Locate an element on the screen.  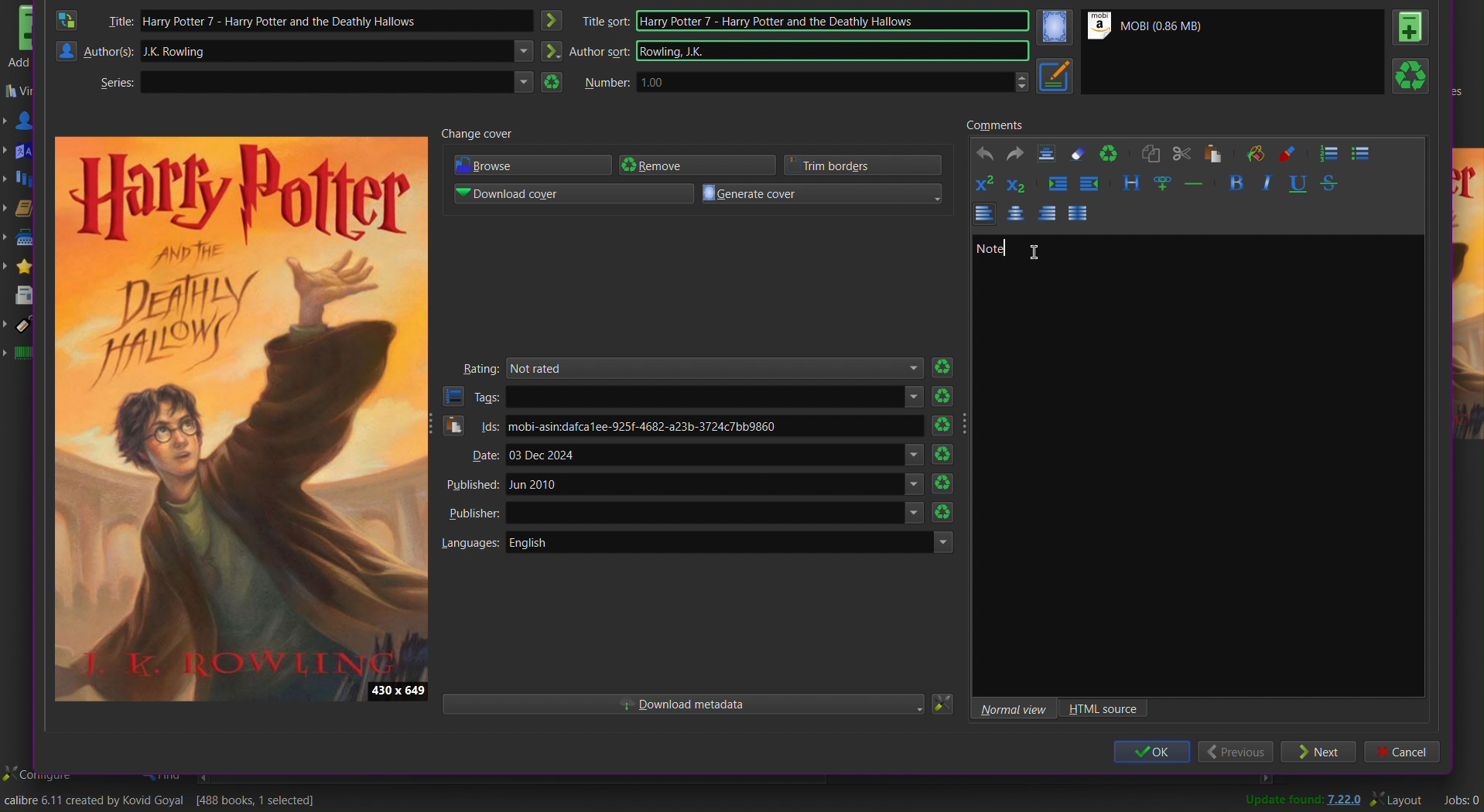
Refresh is located at coordinates (1411, 75).